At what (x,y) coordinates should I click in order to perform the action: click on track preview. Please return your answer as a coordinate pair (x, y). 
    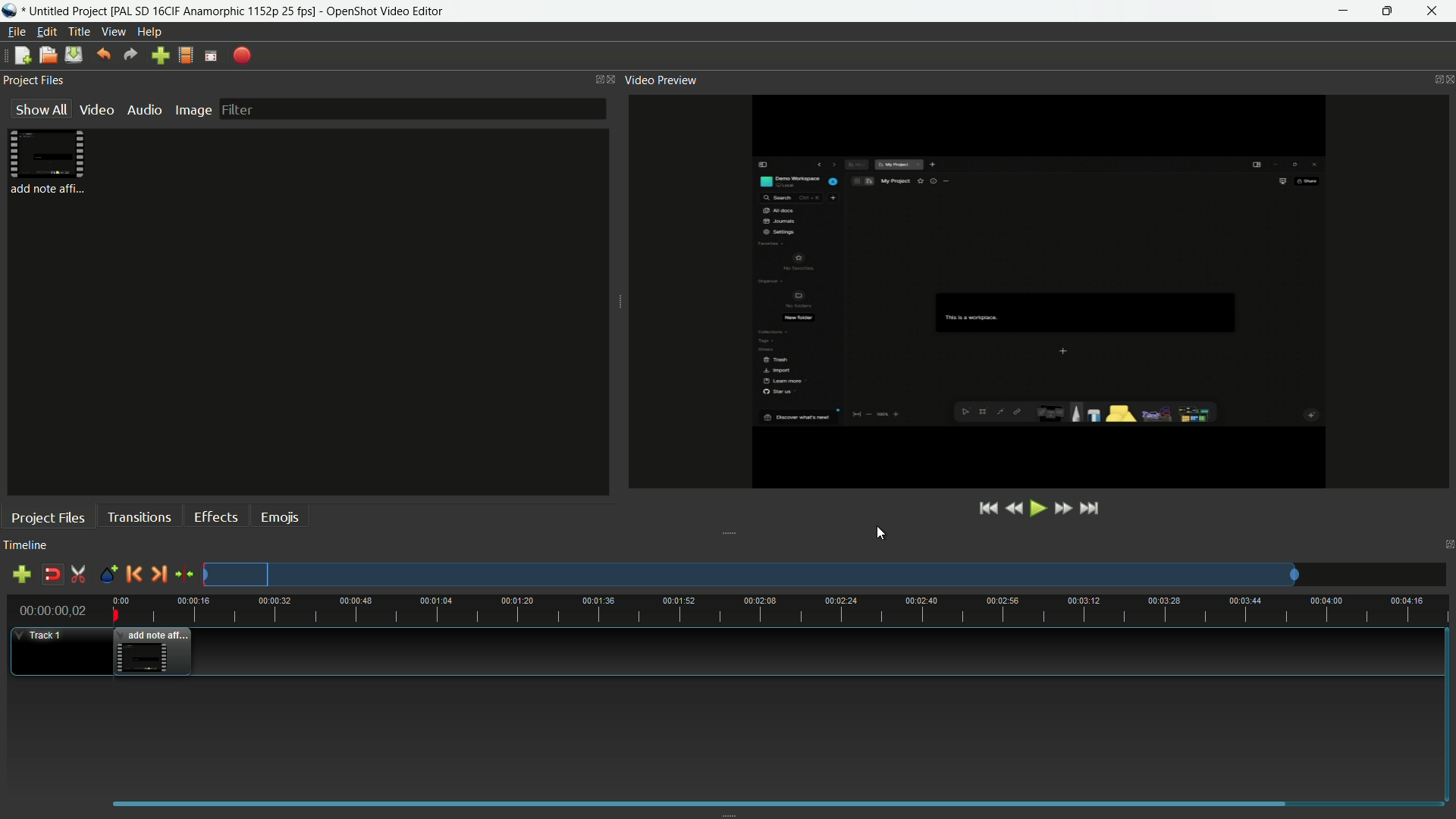
    Looking at the image, I should click on (753, 575).